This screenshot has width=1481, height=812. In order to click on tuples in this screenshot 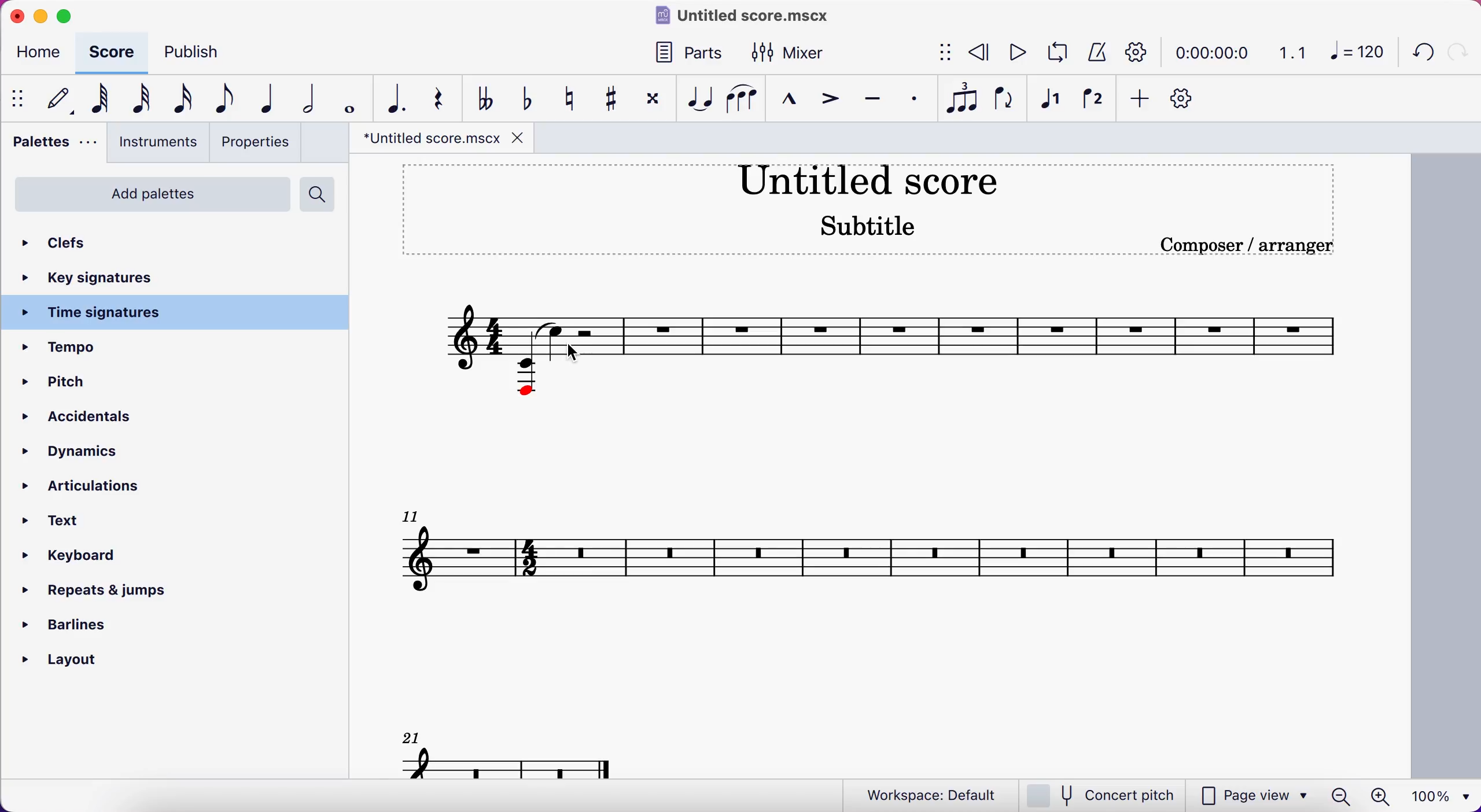, I will do `click(959, 97)`.